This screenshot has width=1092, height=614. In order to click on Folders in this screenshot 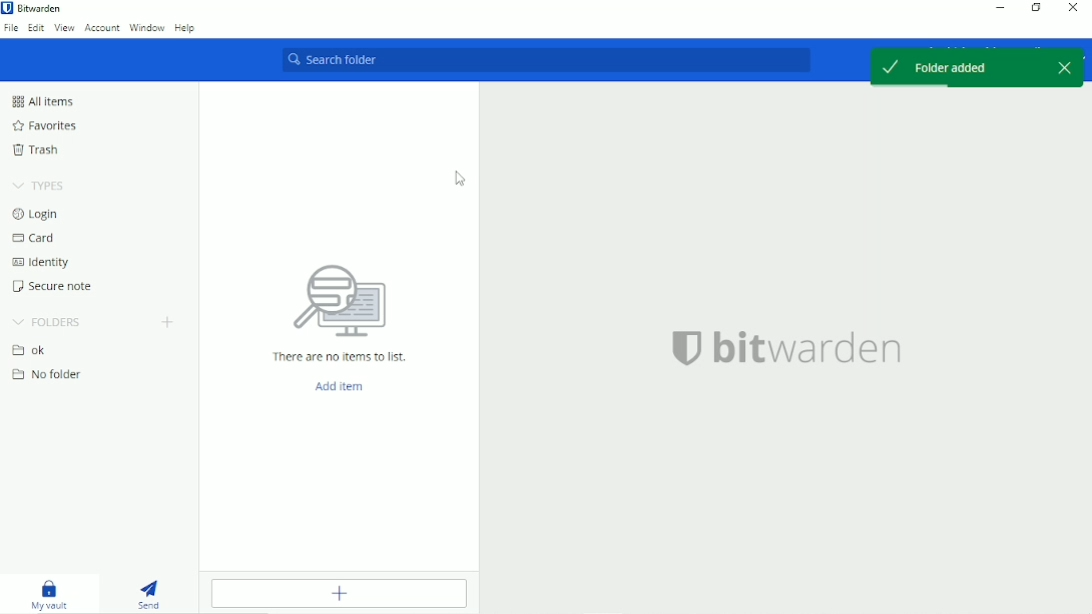, I will do `click(47, 321)`.